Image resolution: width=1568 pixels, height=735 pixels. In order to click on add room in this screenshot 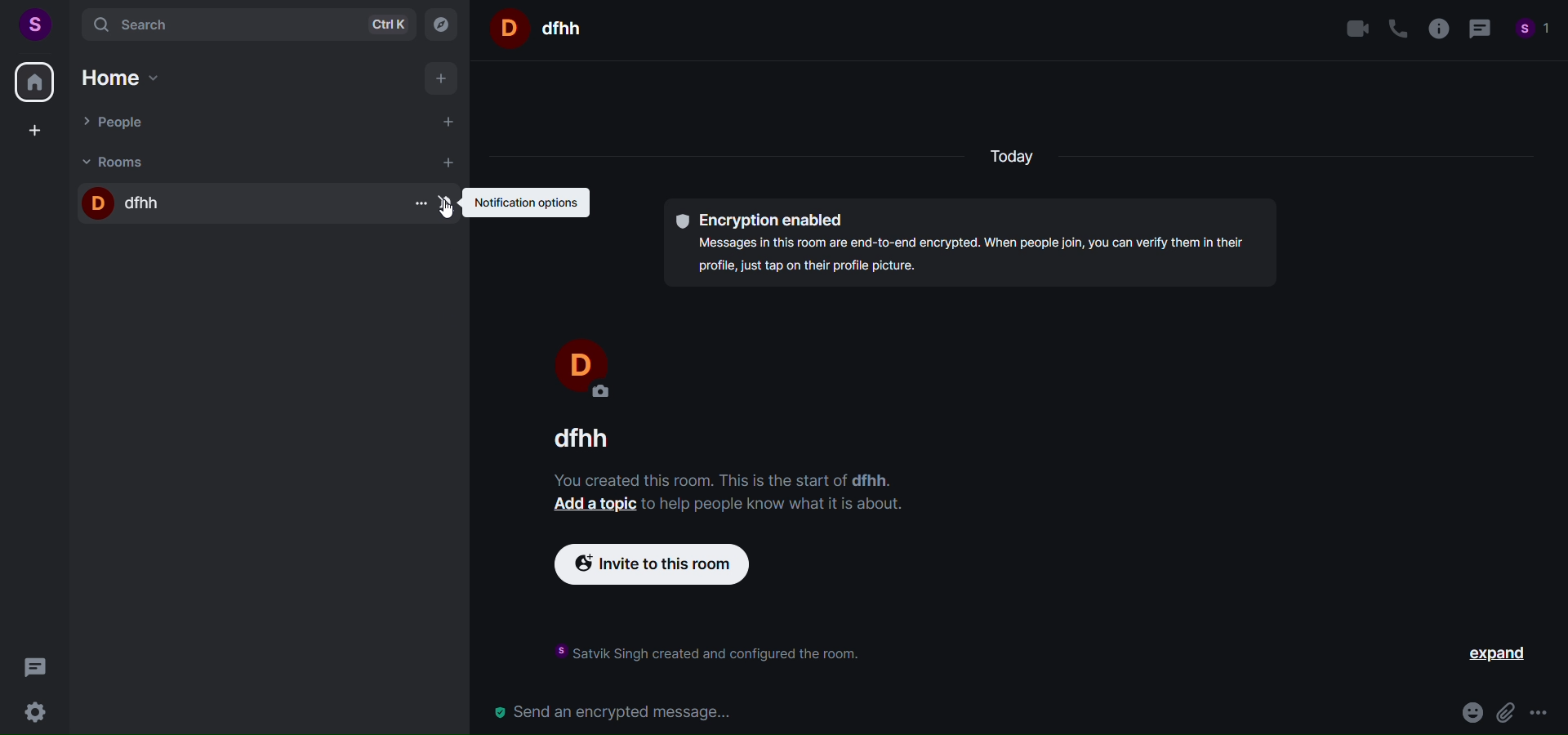, I will do `click(447, 161)`.